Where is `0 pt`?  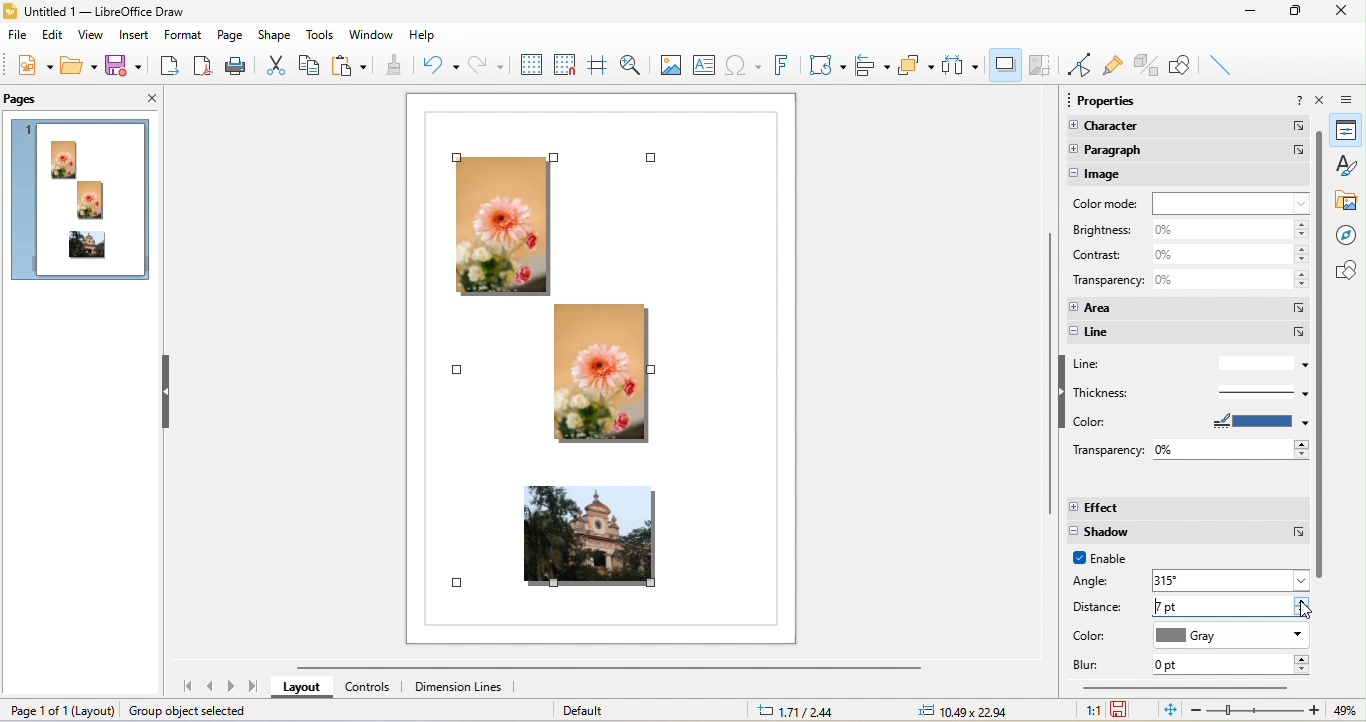
0 pt is located at coordinates (1230, 665).